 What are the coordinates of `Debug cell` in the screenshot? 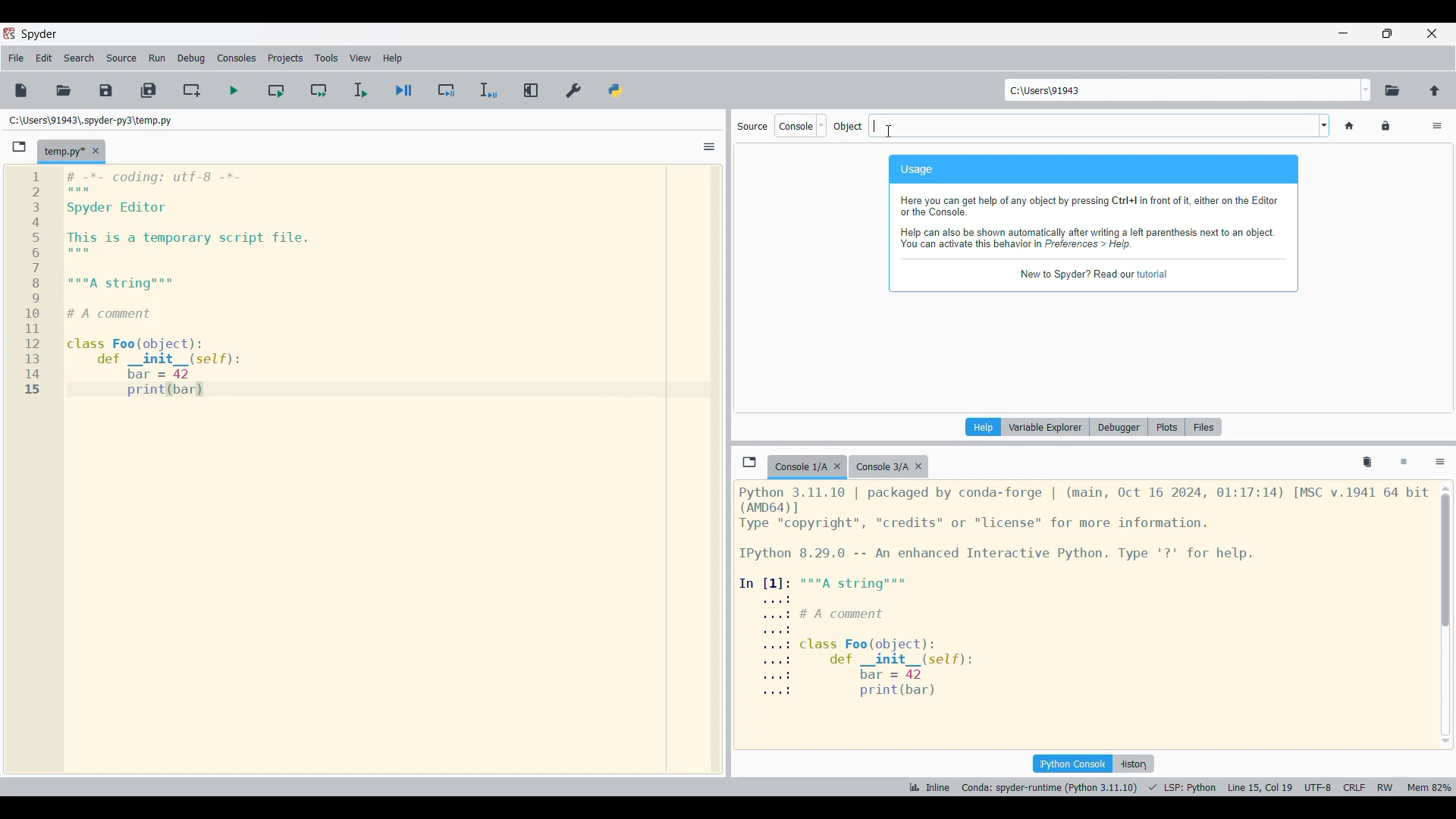 It's located at (447, 91).